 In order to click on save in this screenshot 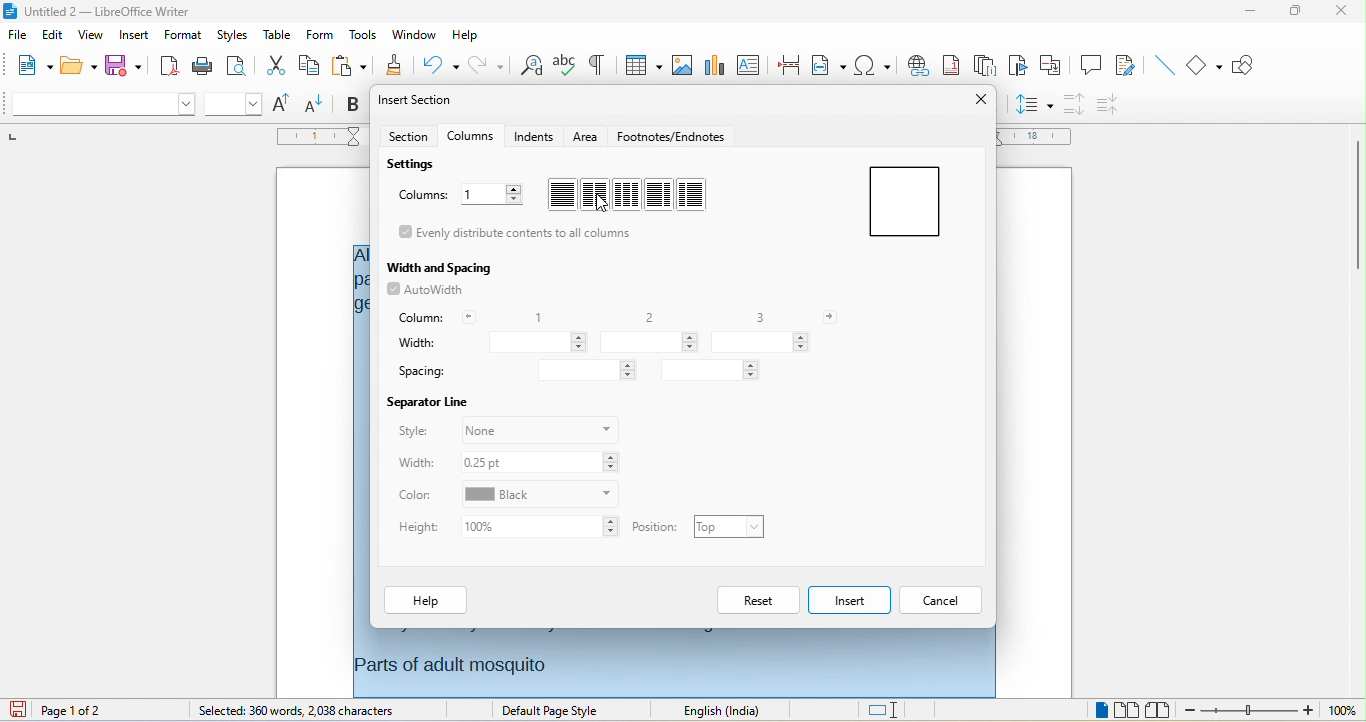, I will do `click(123, 64)`.